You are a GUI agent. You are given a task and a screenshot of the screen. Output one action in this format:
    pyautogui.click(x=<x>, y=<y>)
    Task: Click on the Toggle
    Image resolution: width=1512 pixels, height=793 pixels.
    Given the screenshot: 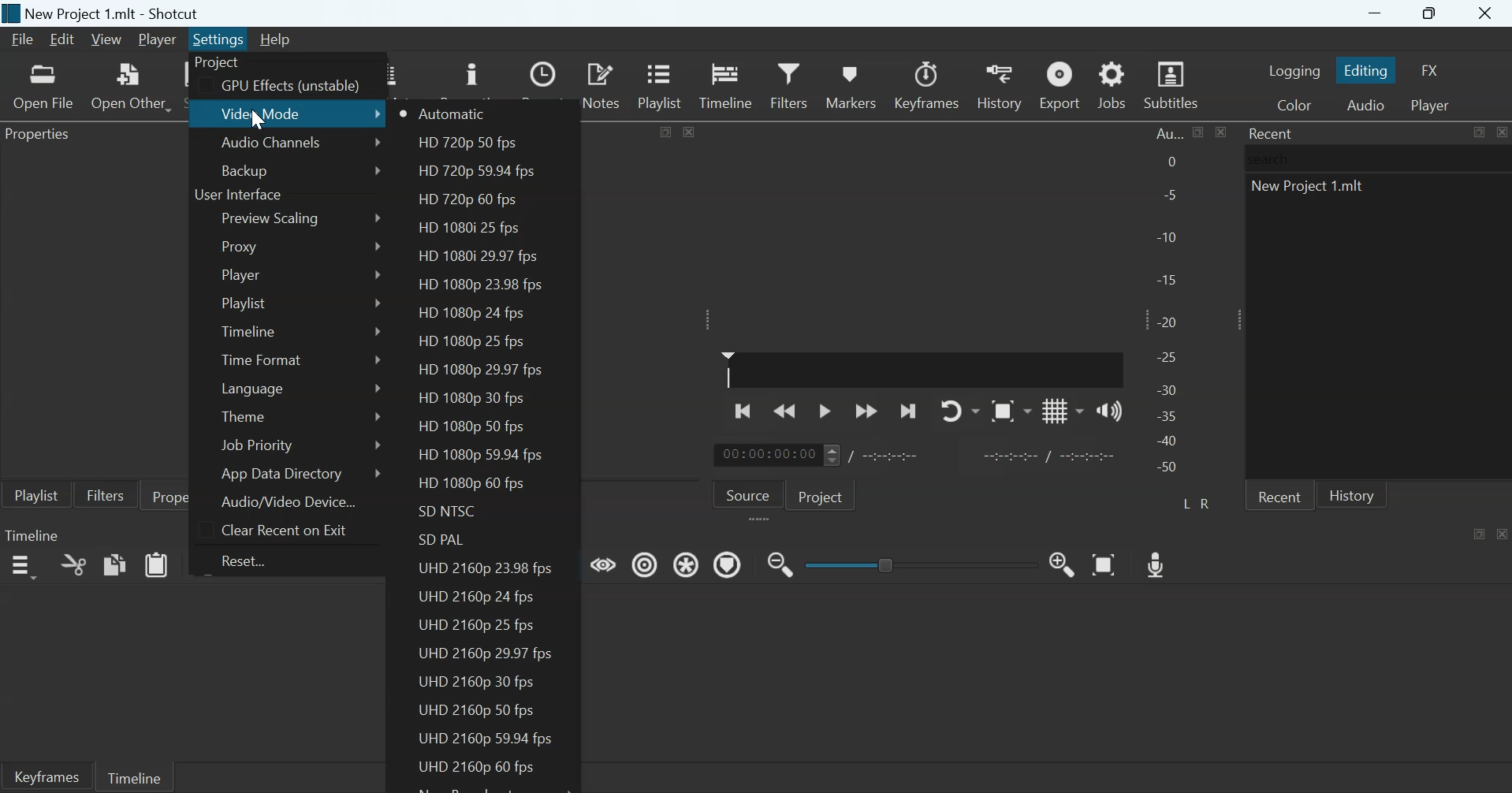 What is the action you would take?
    pyautogui.click(x=888, y=563)
    